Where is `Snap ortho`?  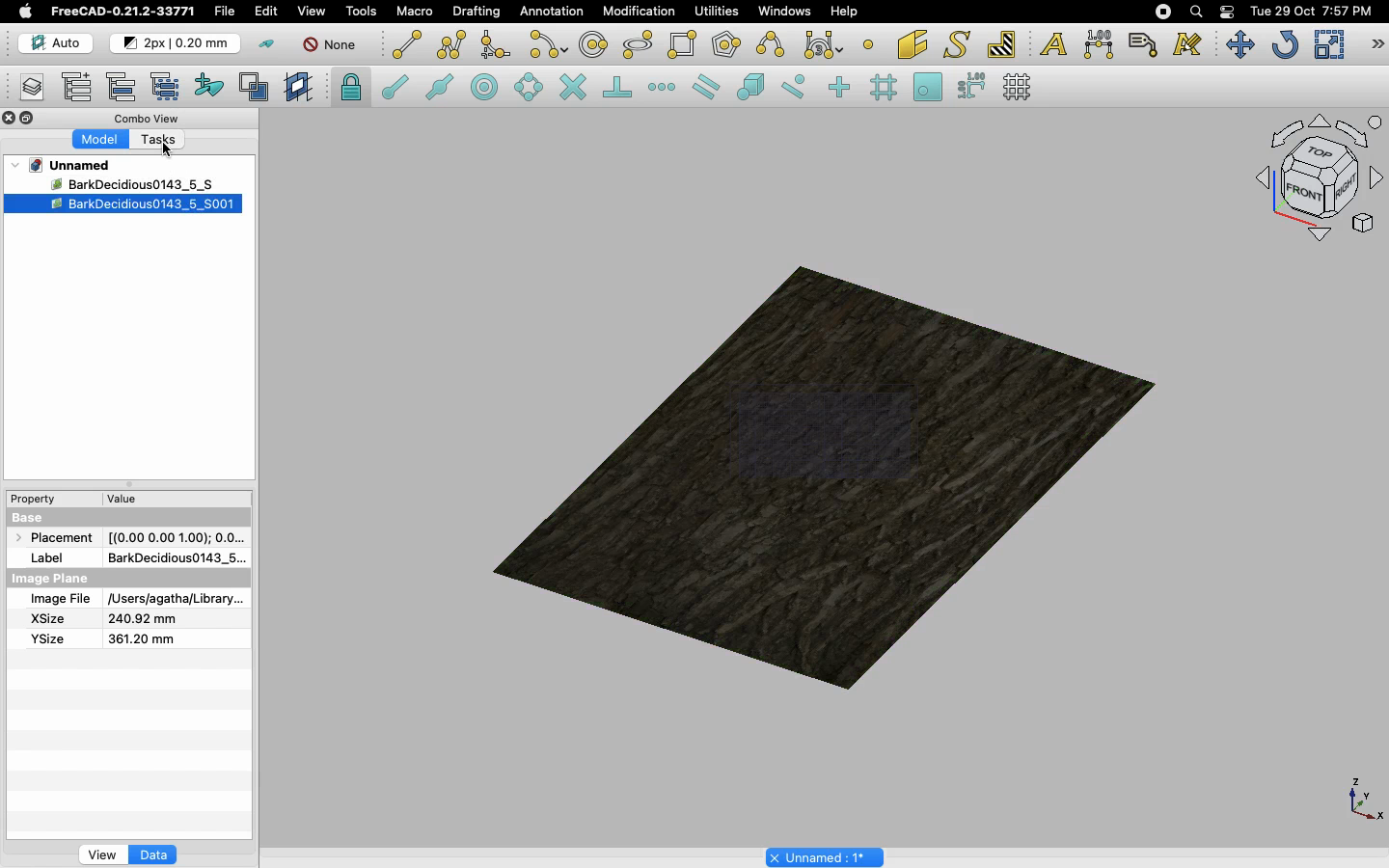
Snap ortho is located at coordinates (842, 89).